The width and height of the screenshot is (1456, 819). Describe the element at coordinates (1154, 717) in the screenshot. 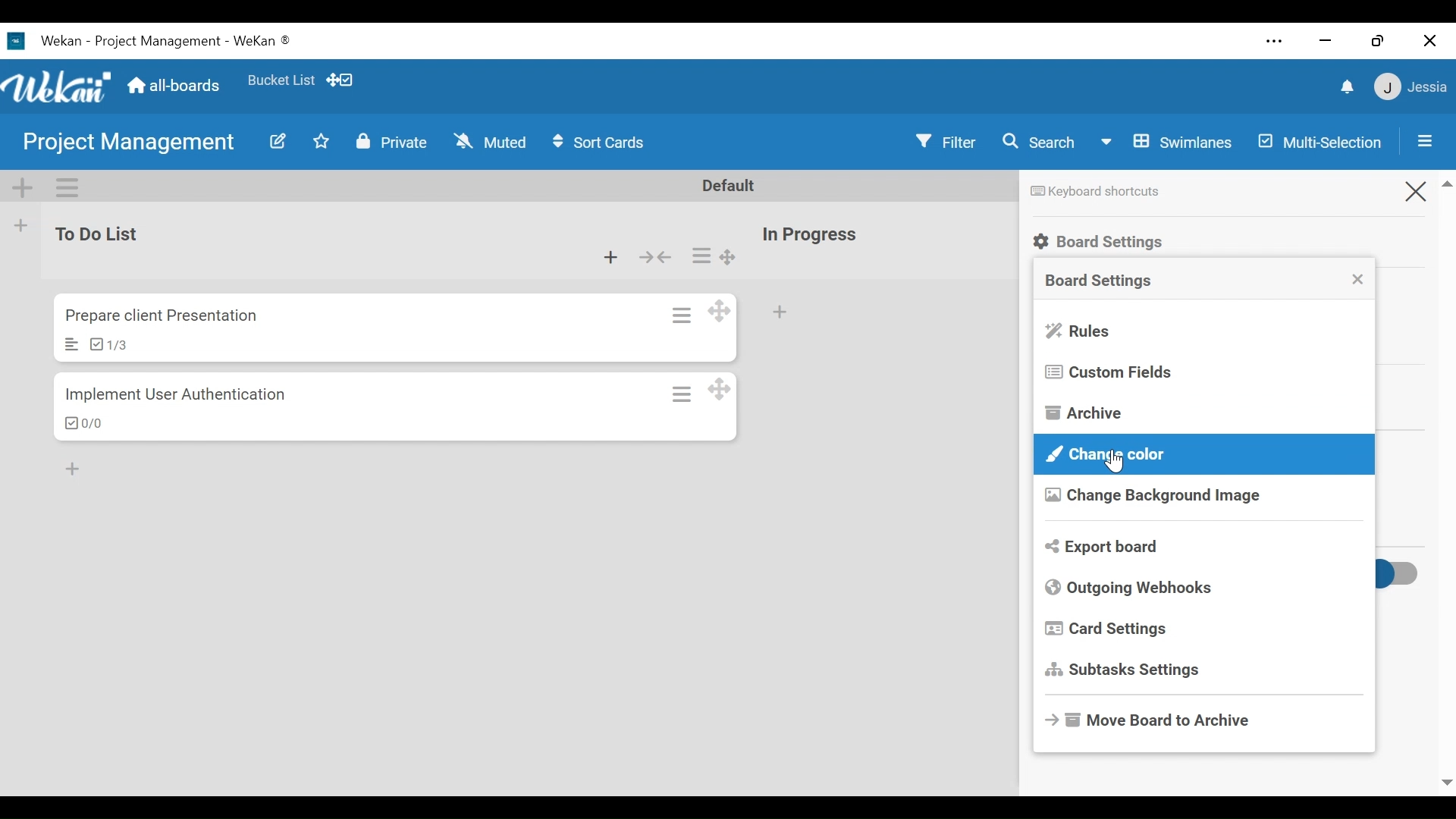

I see `Move Board to Archive` at that location.